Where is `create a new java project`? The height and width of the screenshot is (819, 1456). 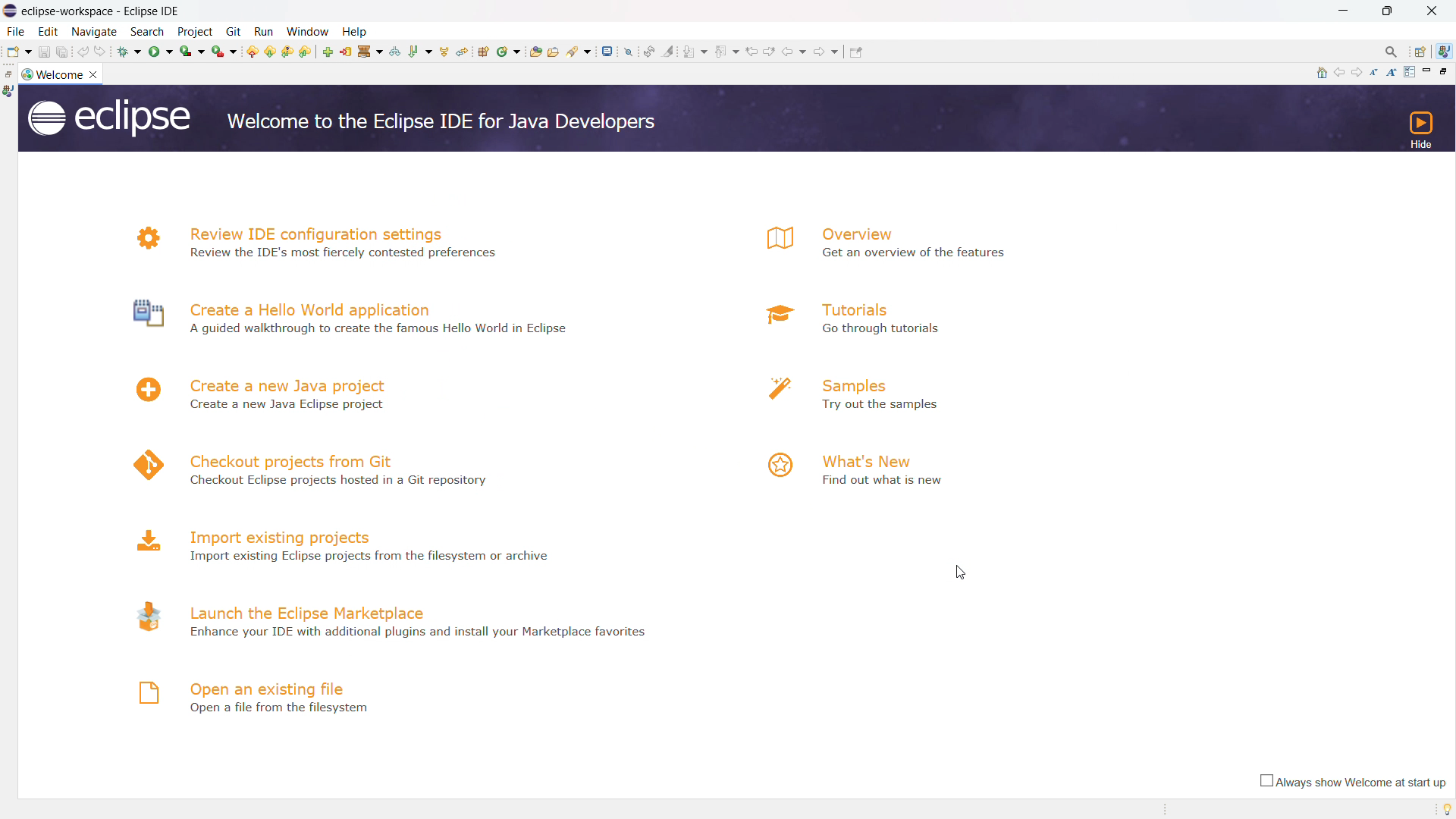 create a new java project is located at coordinates (290, 384).